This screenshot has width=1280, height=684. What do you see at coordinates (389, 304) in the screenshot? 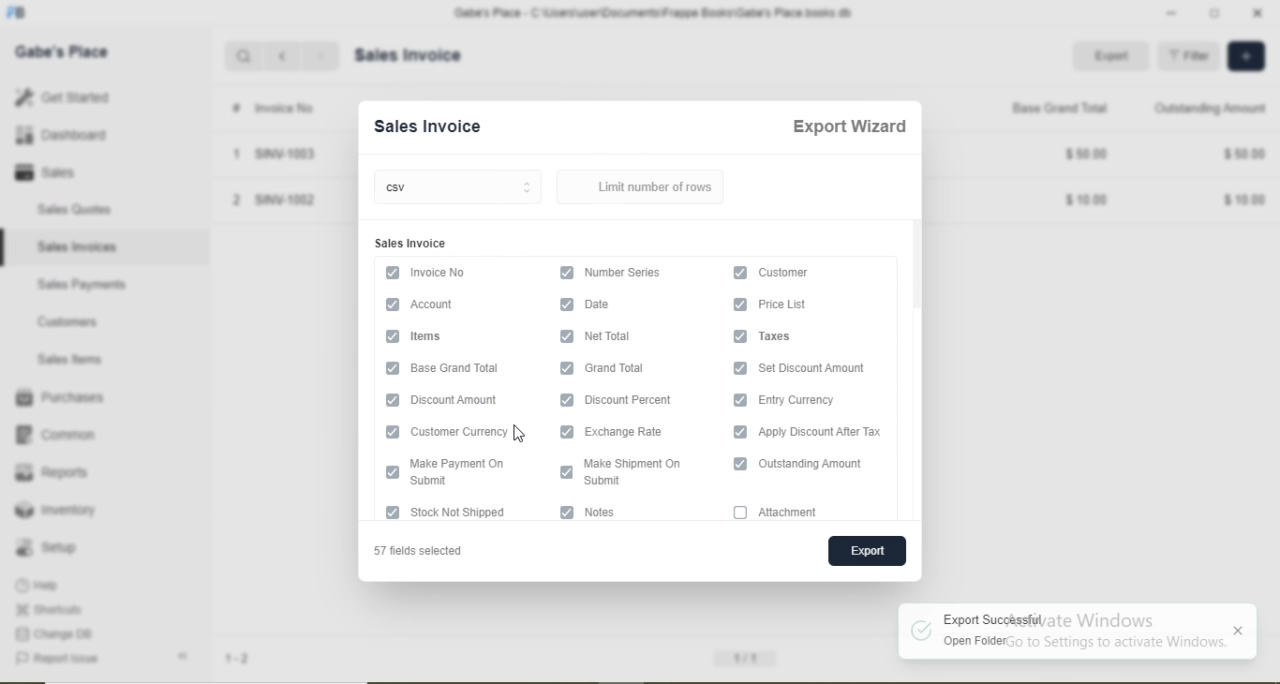
I see `checkbox` at bounding box center [389, 304].